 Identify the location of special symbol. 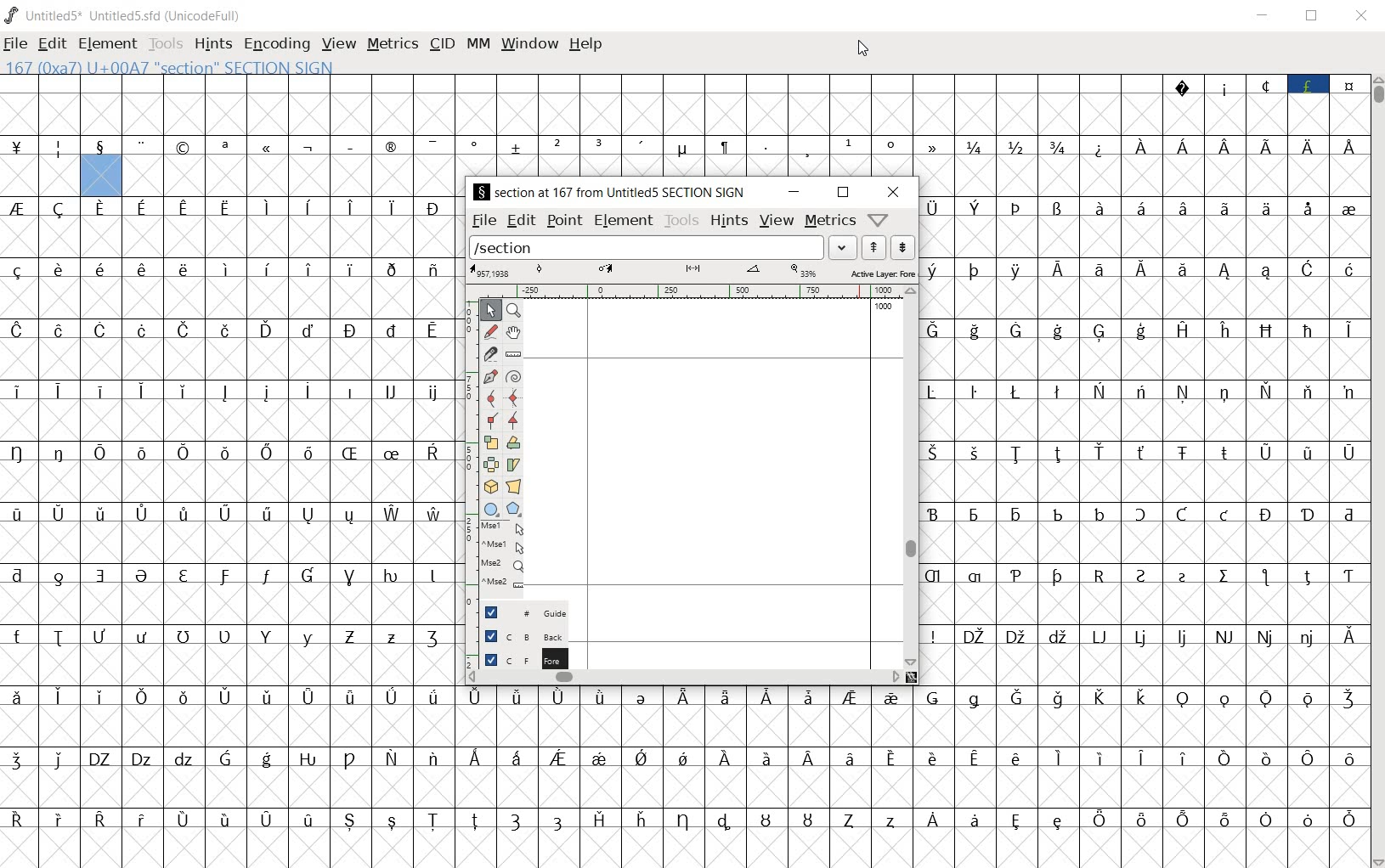
(1100, 147).